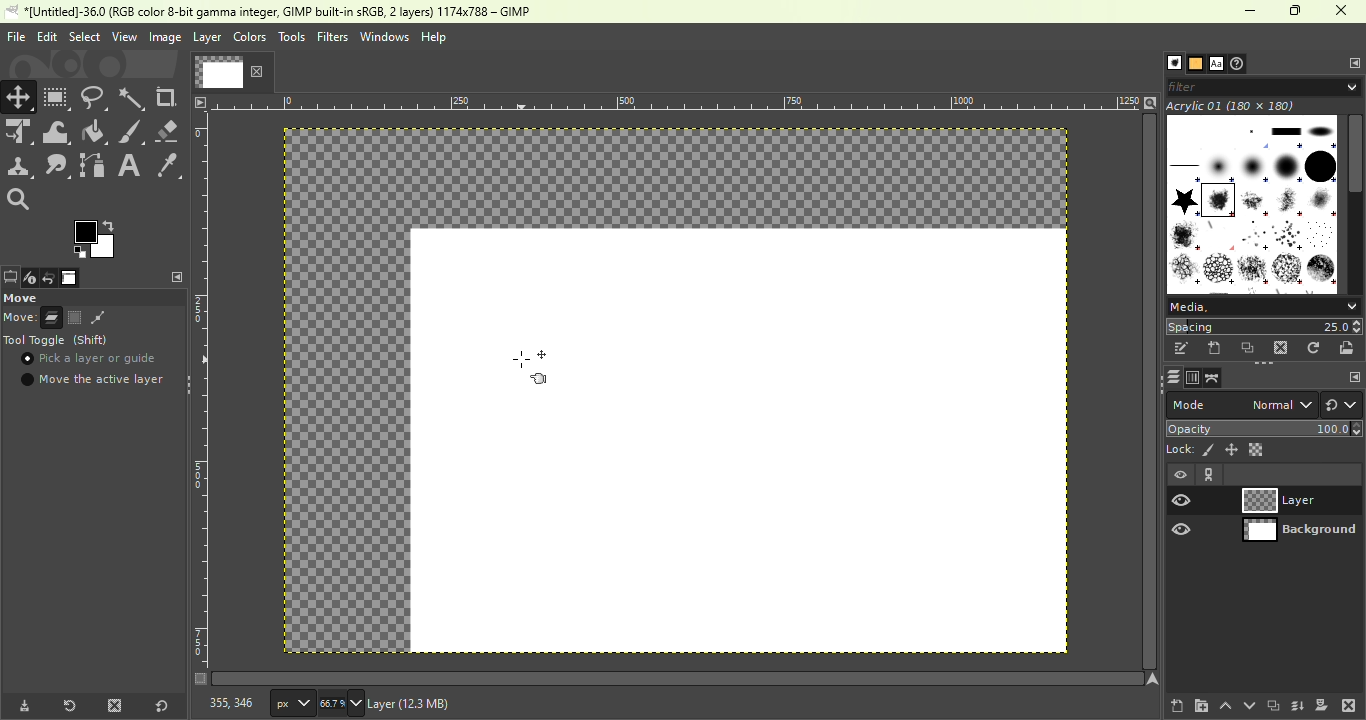  Describe the element at coordinates (1177, 703) in the screenshot. I see `Create a new layer` at that location.